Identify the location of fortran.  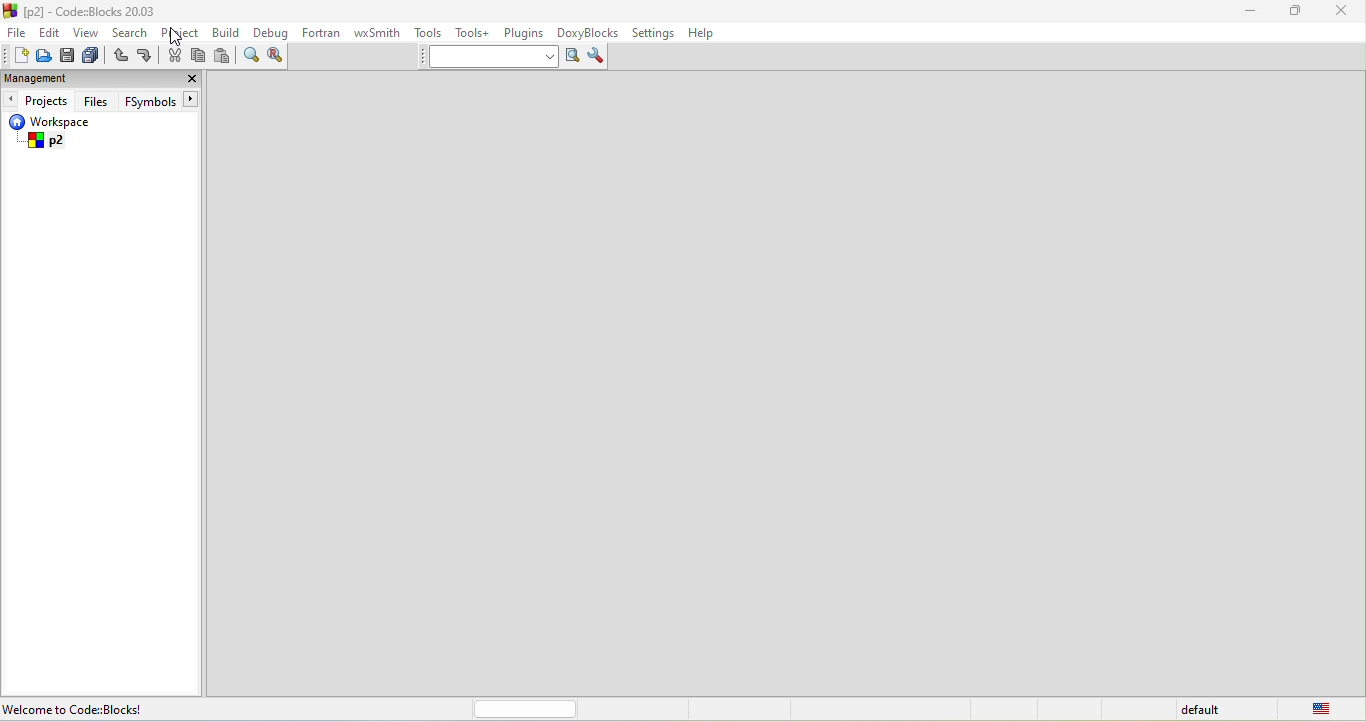
(324, 36).